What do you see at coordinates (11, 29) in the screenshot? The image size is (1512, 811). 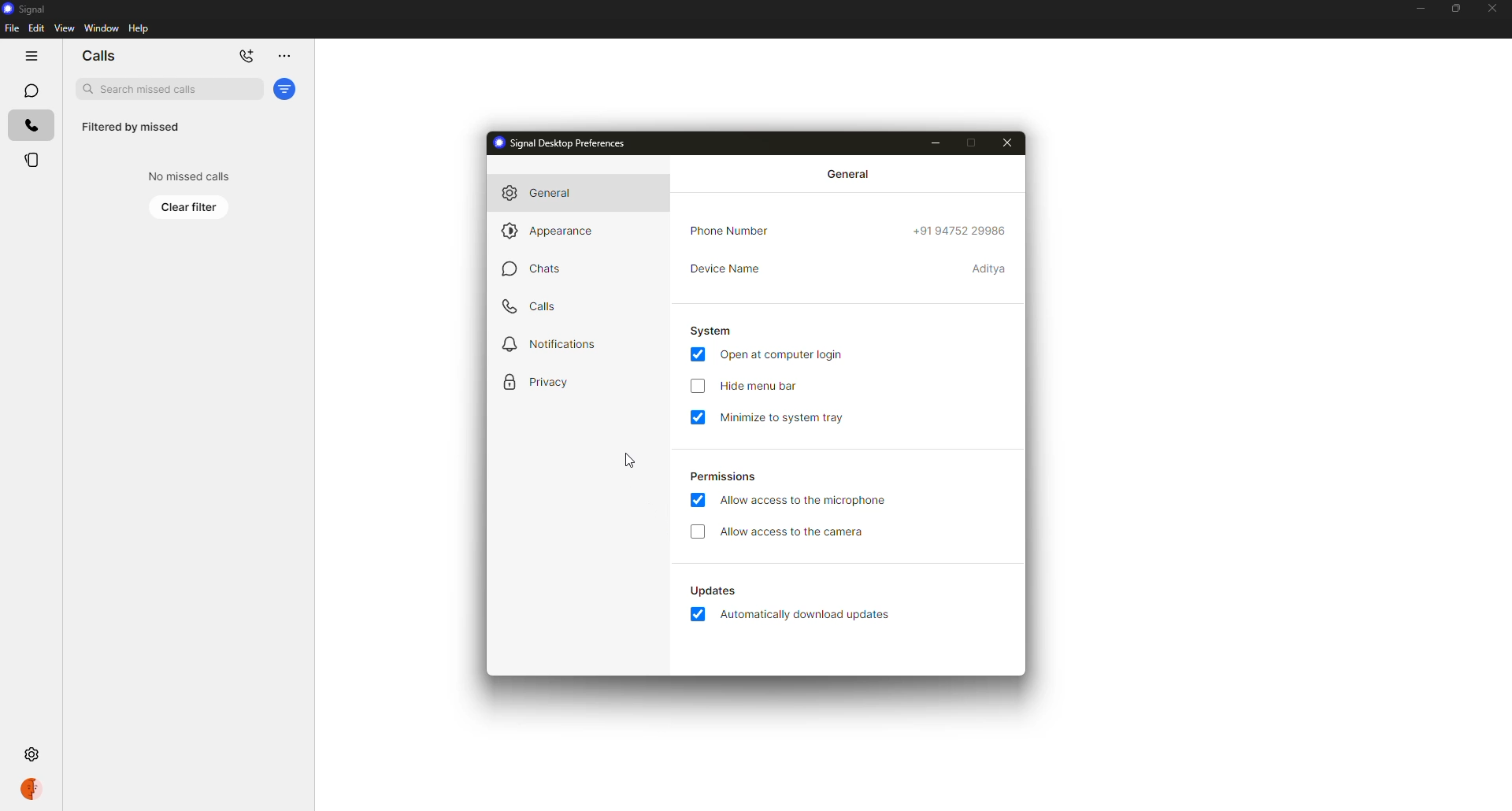 I see `file` at bounding box center [11, 29].